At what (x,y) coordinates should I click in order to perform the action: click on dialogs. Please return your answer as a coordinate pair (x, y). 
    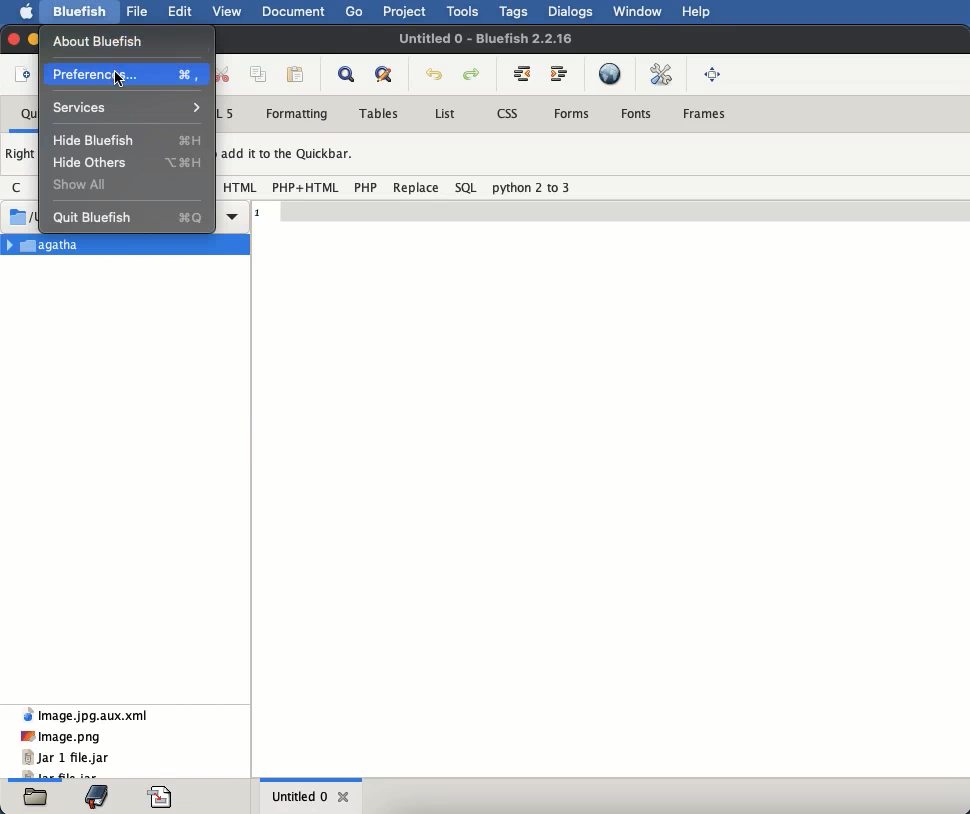
    Looking at the image, I should click on (572, 12).